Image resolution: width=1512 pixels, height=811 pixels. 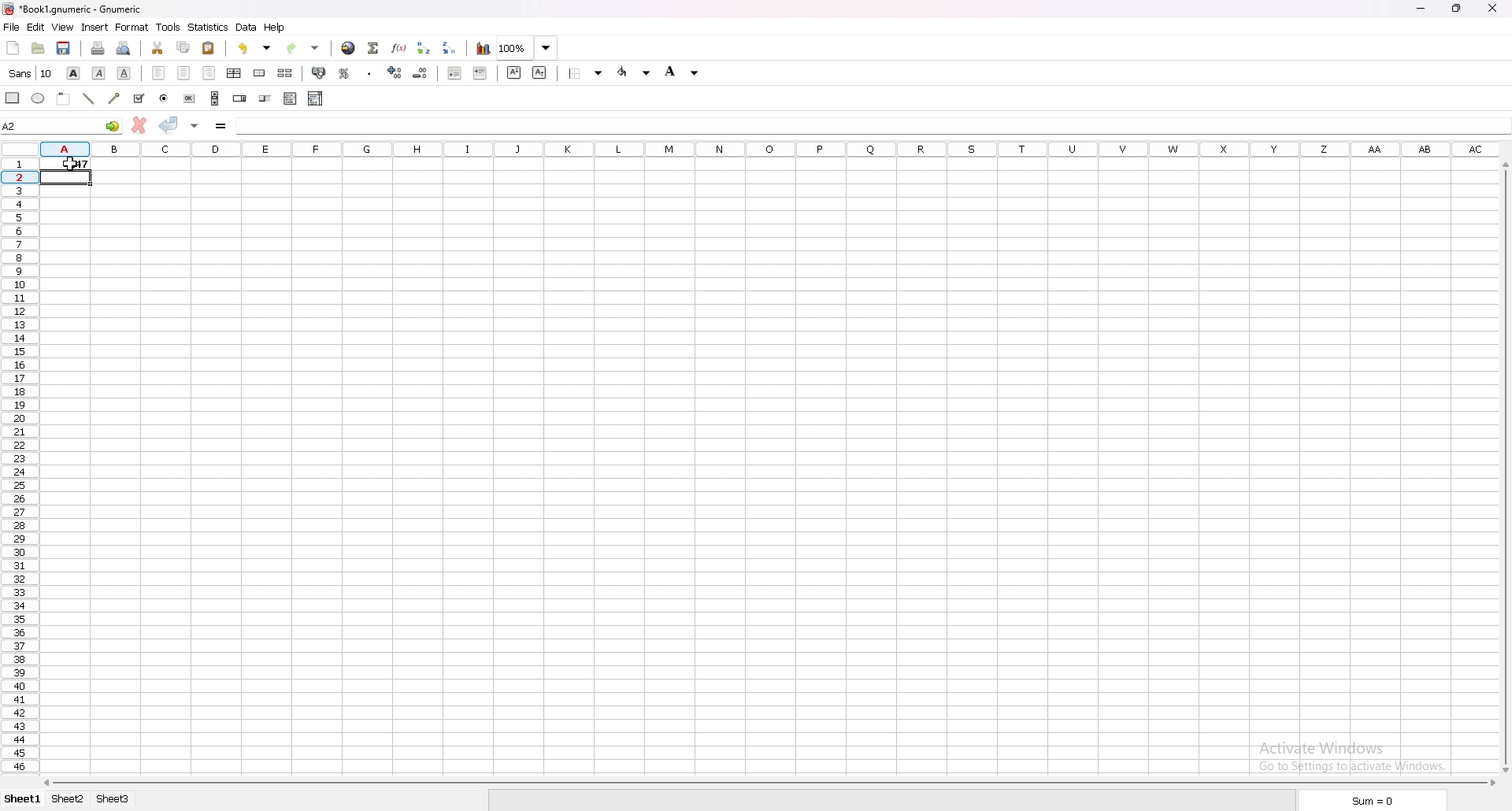 What do you see at coordinates (90, 98) in the screenshot?
I see `line` at bounding box center [90, 98].